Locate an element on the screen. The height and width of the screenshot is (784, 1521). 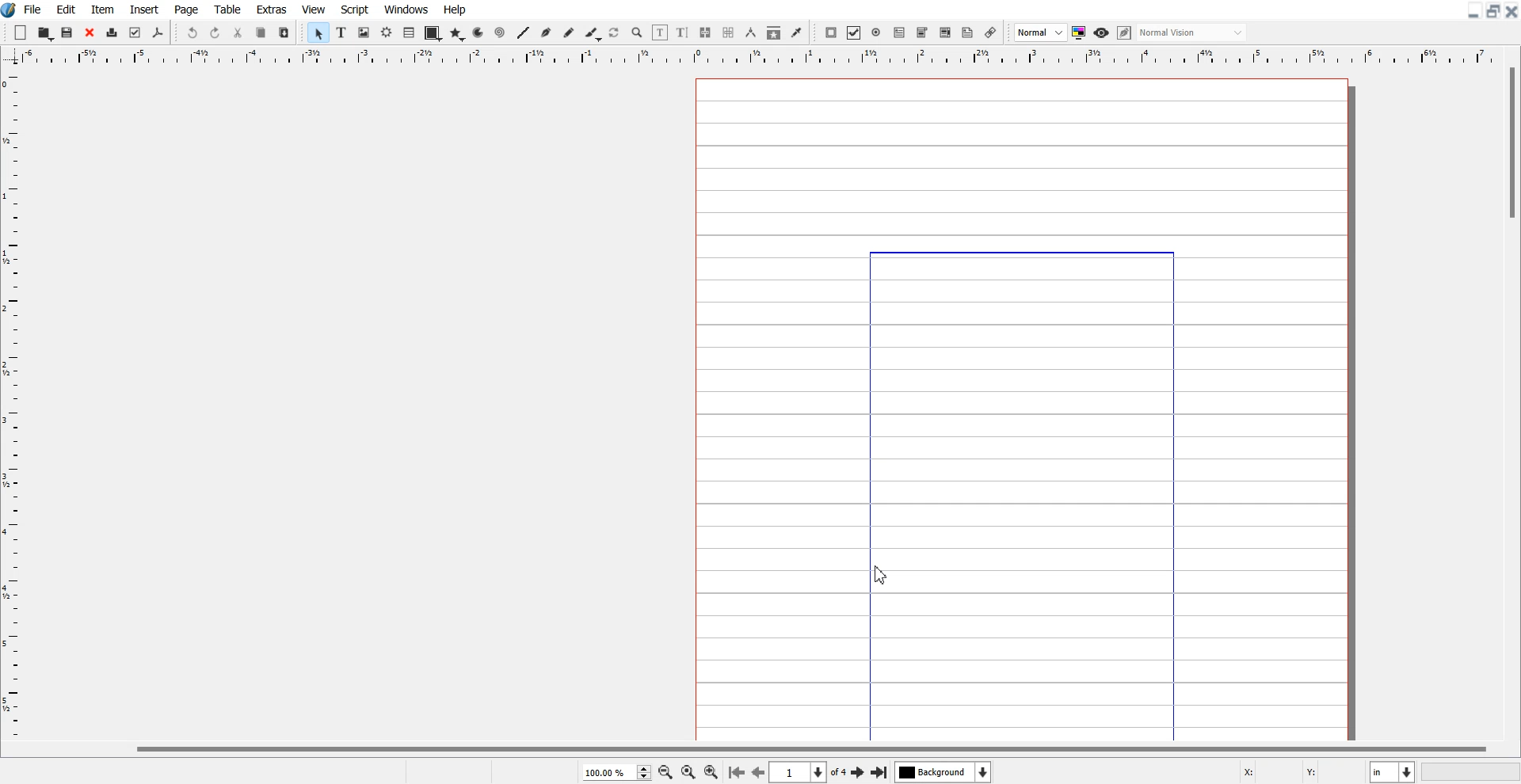
Redo is located at coordinates (215, 32).